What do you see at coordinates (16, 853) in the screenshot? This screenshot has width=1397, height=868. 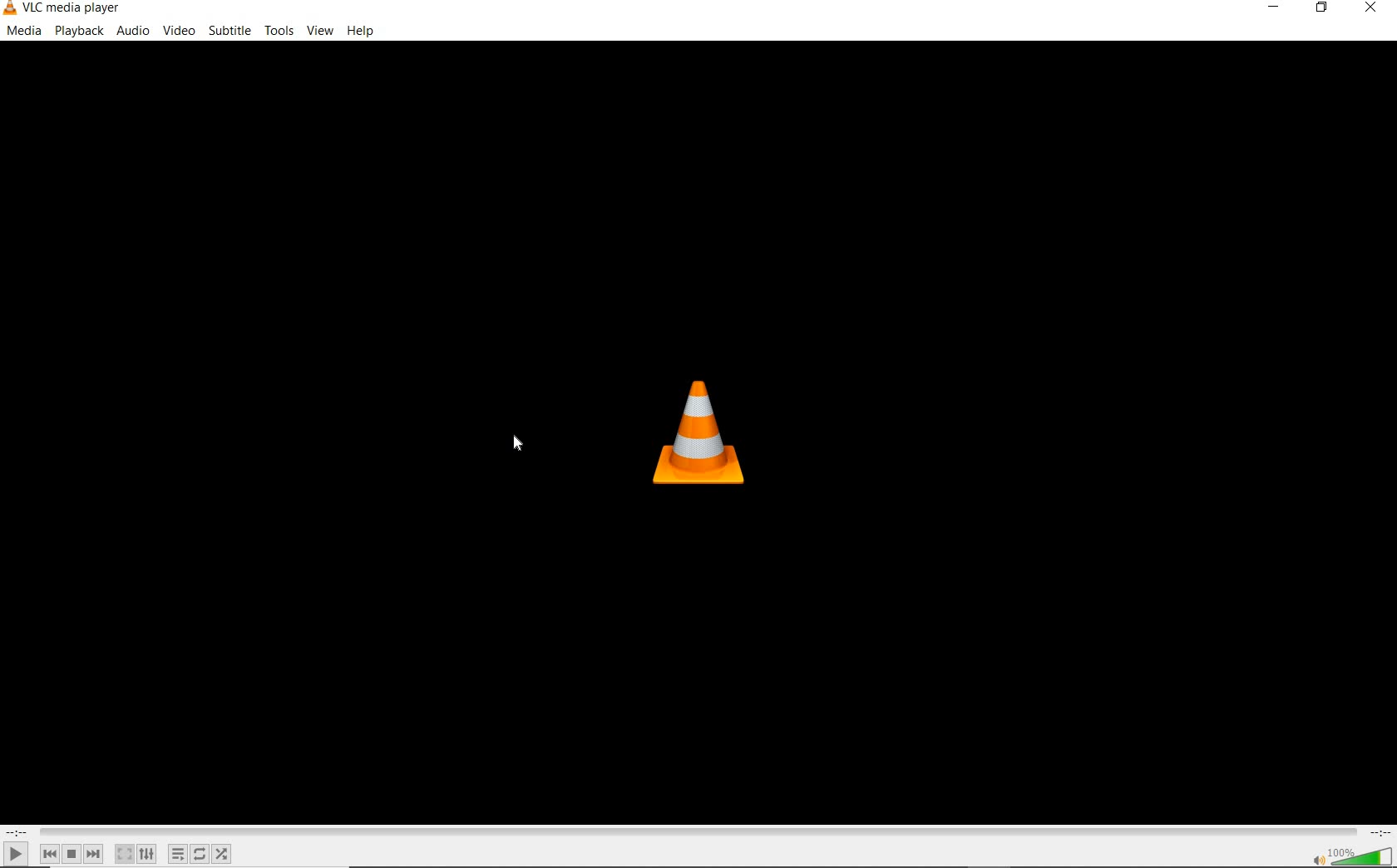 I see `play` at bounding box center [16, 853].